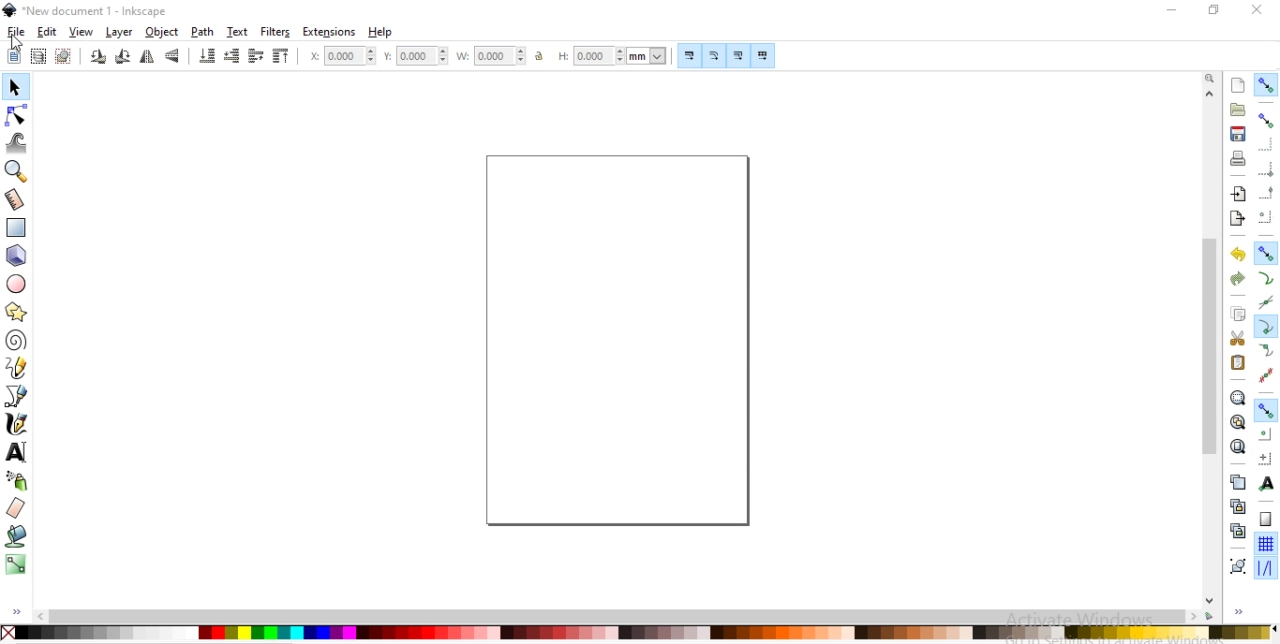  Describe the element at coordinates (1238, 337) in the screenshot. I see `cut` at that location.